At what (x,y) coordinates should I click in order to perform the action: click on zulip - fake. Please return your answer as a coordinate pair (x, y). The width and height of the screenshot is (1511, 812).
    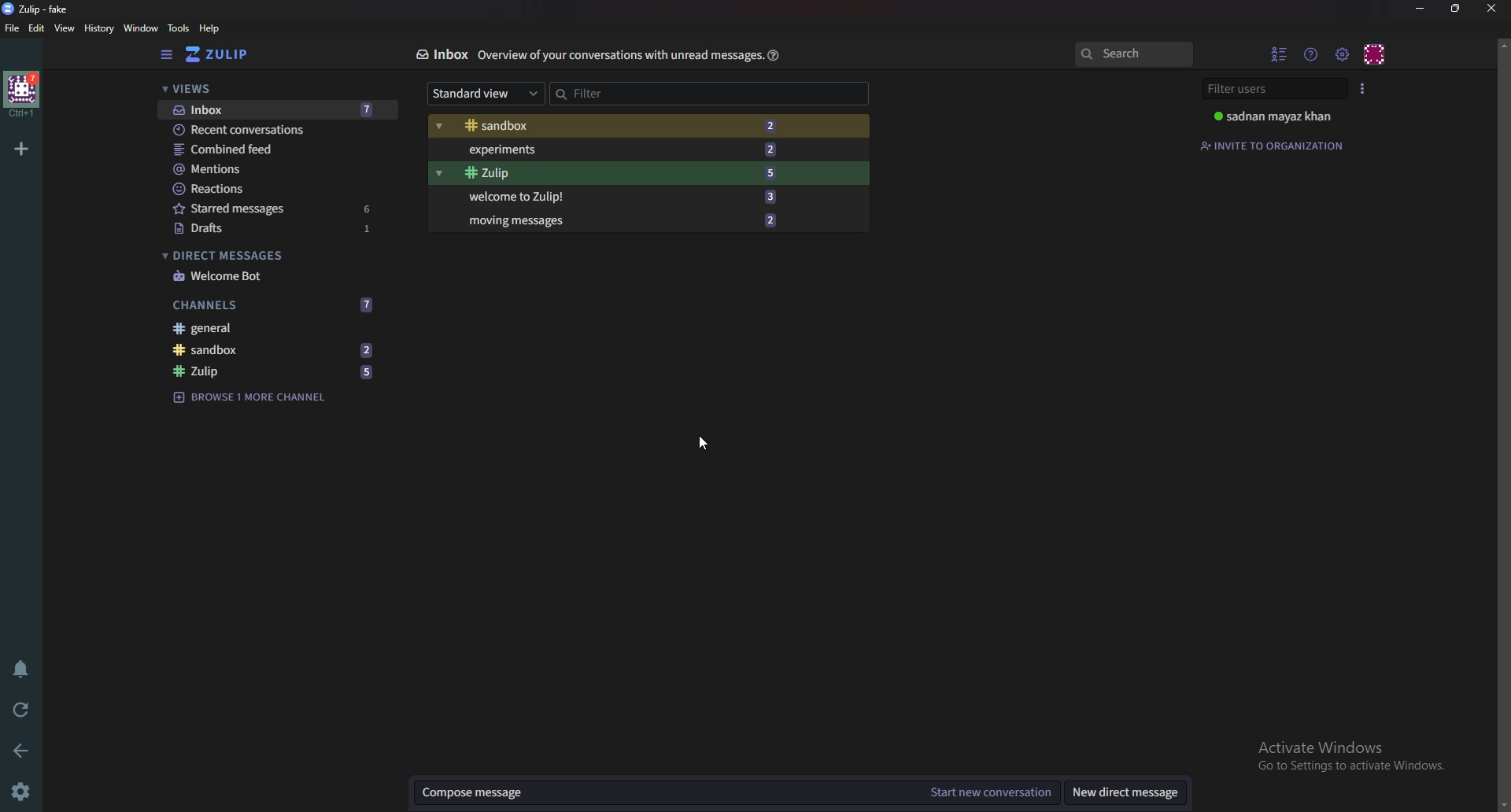
    Looking at the image, I should click on (38, 9).